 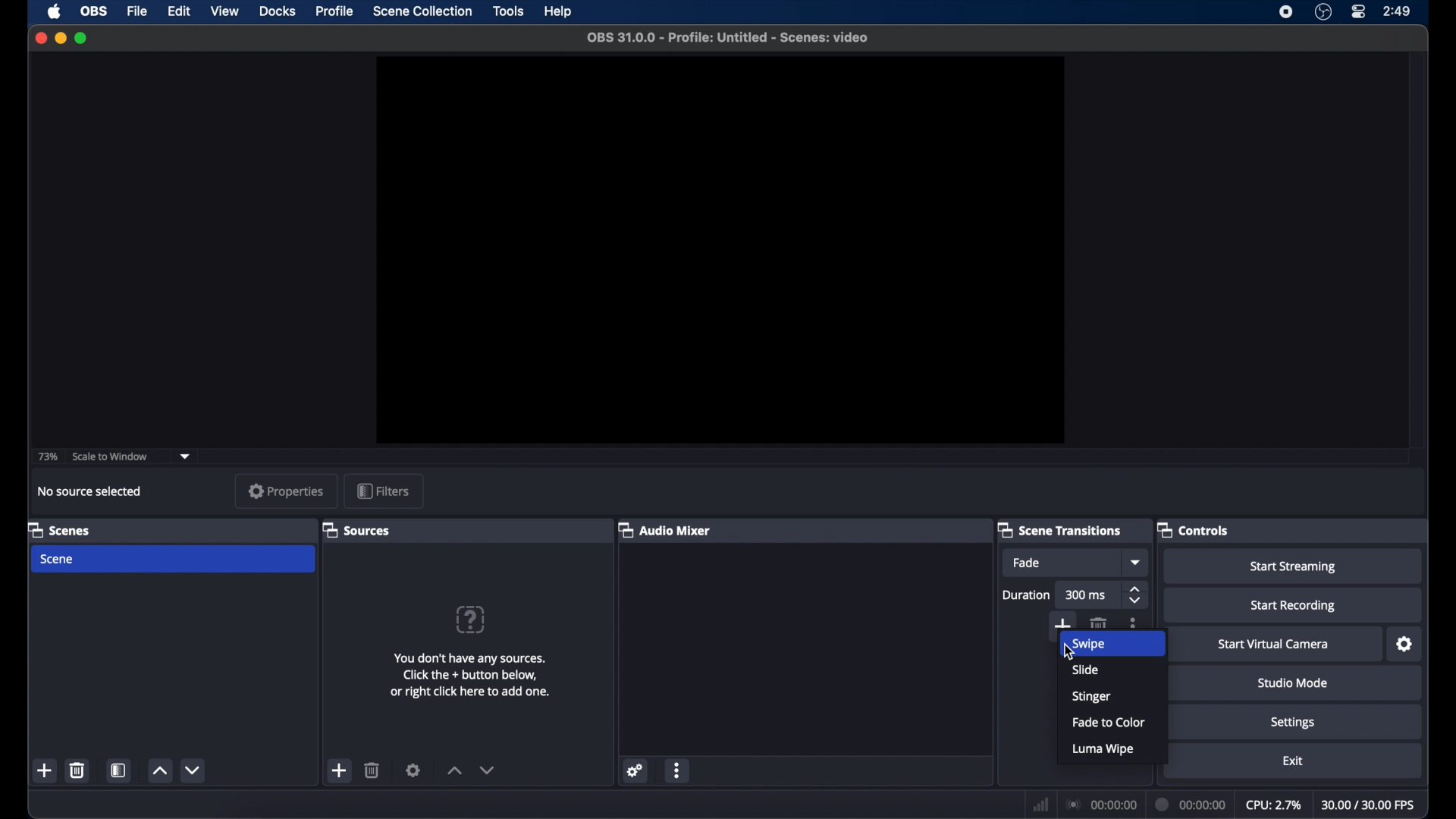 I want to click on edit, so click(x=177, y=11).